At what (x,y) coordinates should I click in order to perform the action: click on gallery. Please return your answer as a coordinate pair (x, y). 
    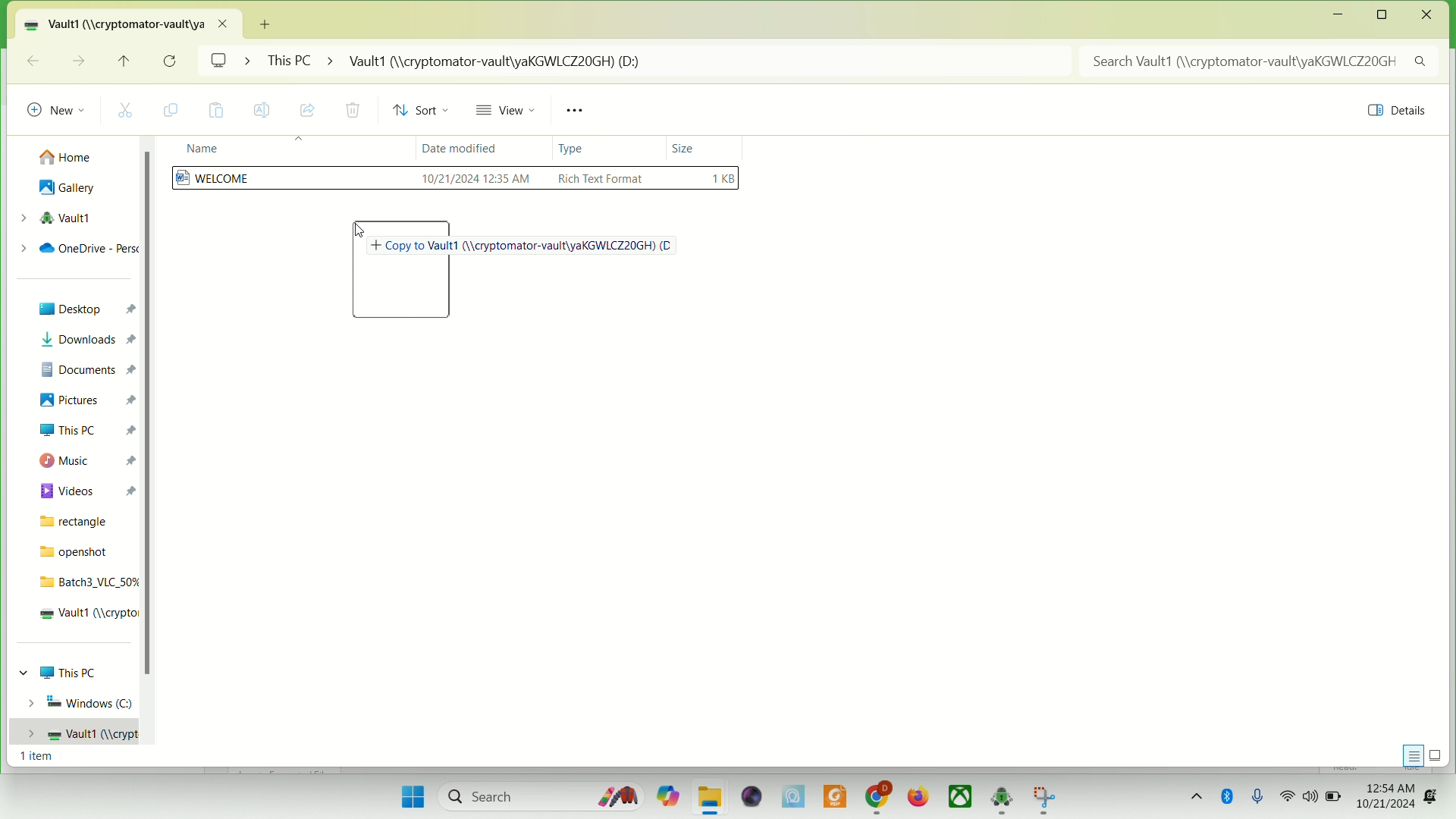
    Looking at the image, I should click on (67, 189).